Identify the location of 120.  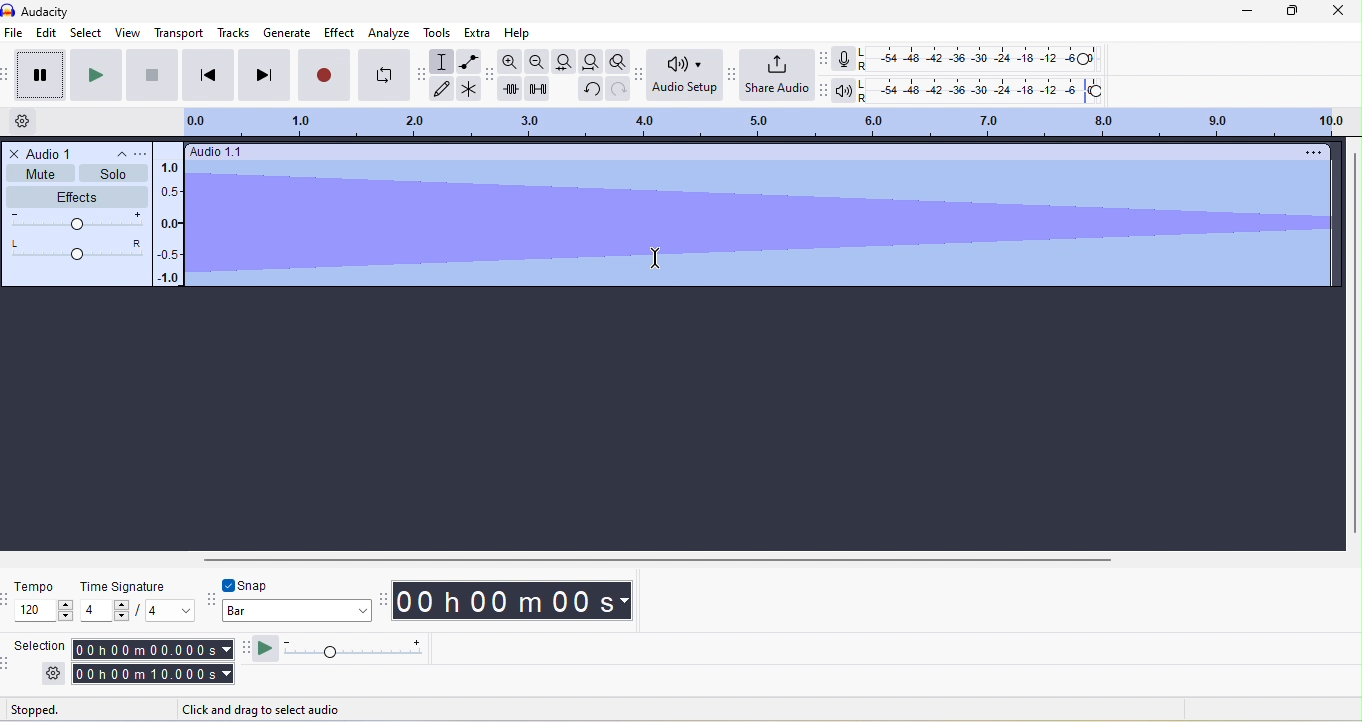
(45, 611).